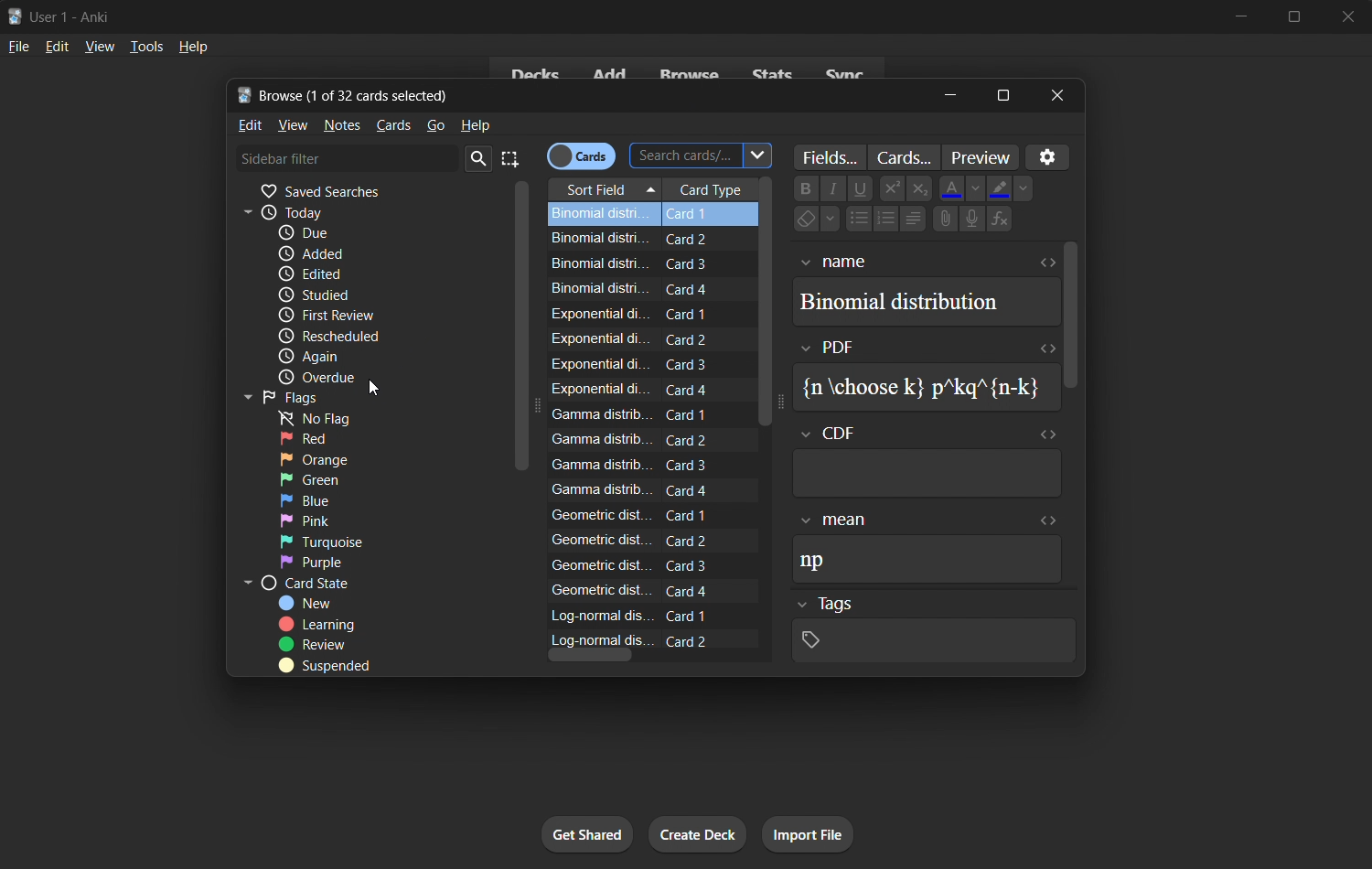 The width and height of the screenshot is (1372, 869). What do you see at coordinates (860, 187) in the screenshot?
I see `underline` at bounding box center [860, 187].